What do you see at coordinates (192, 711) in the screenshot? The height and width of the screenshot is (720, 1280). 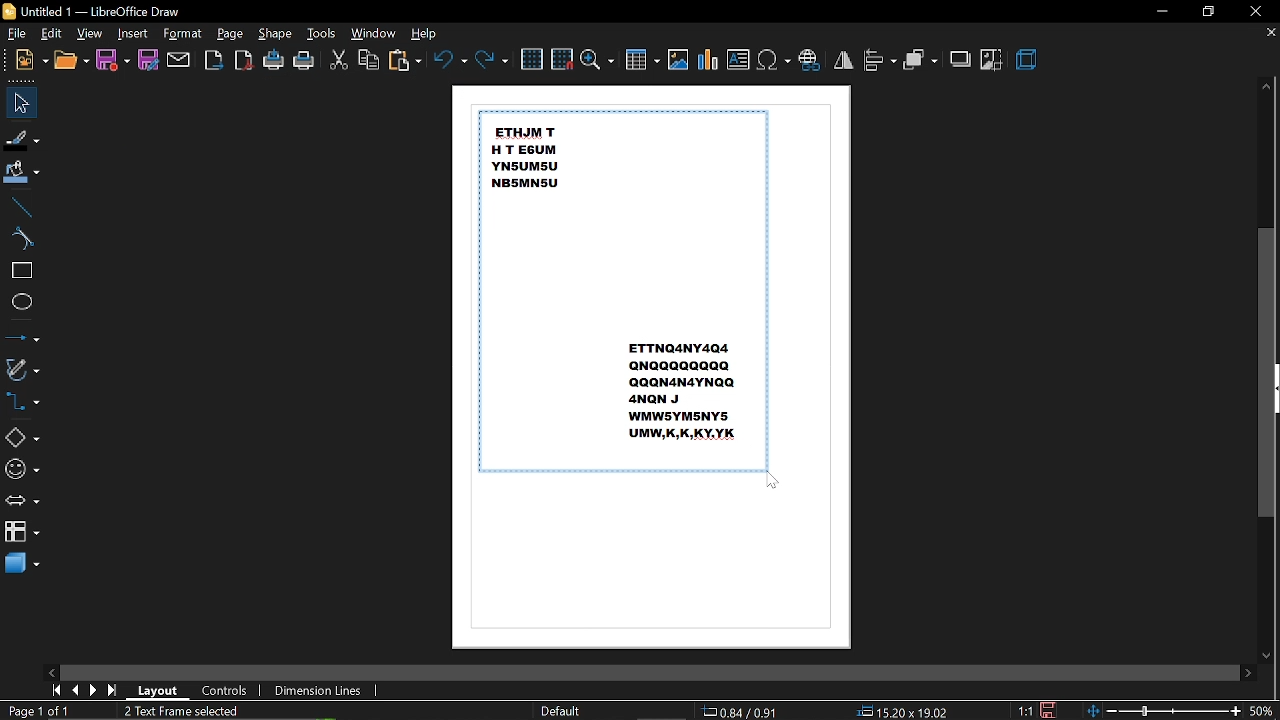 I see `2 text frame selected` at bounding box center [192, 711].